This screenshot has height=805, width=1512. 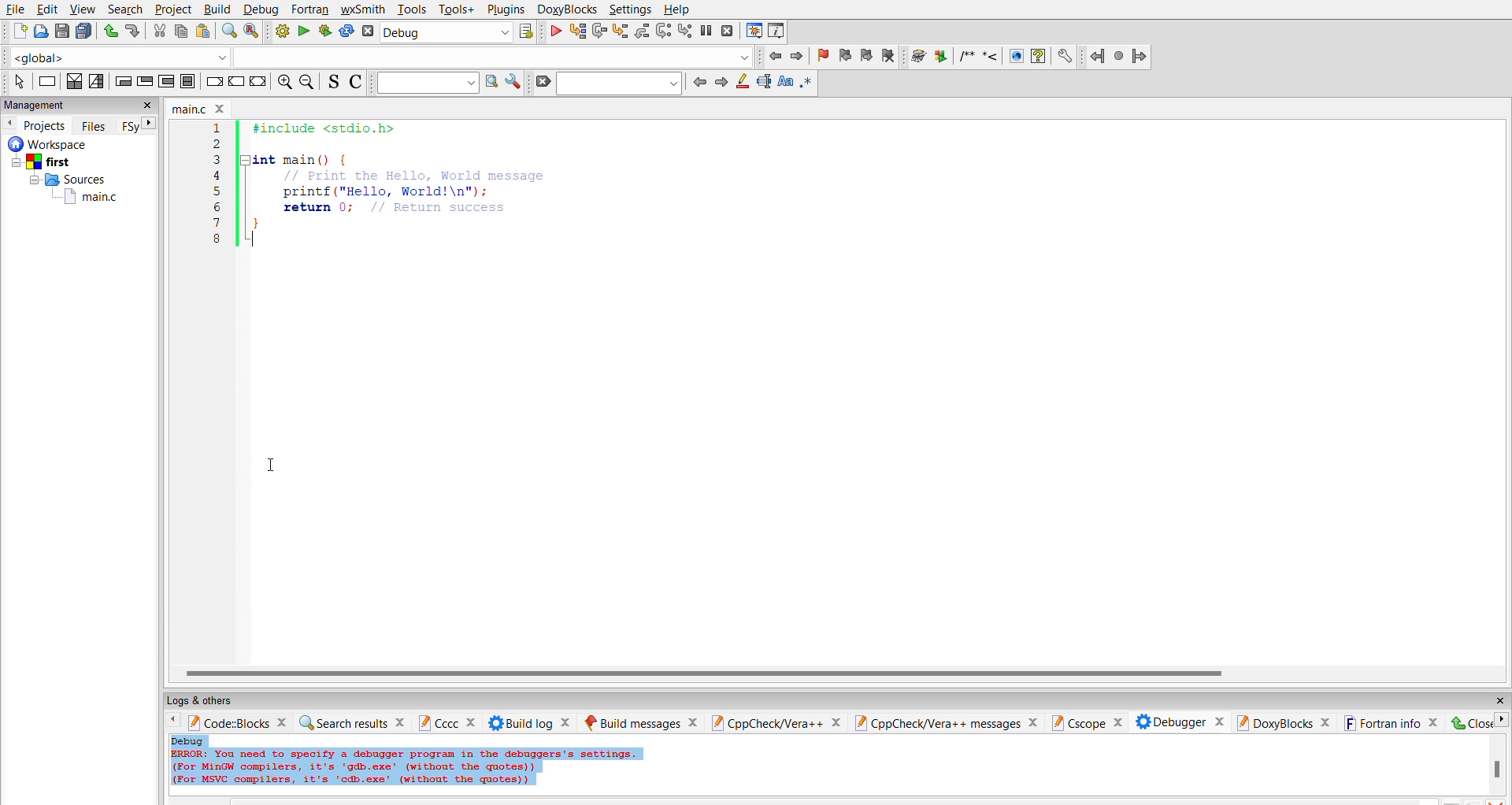 What do you see at coordinates (169, 82) in the screenshot?
I see `counting loop` at bounding box center [169, 82].